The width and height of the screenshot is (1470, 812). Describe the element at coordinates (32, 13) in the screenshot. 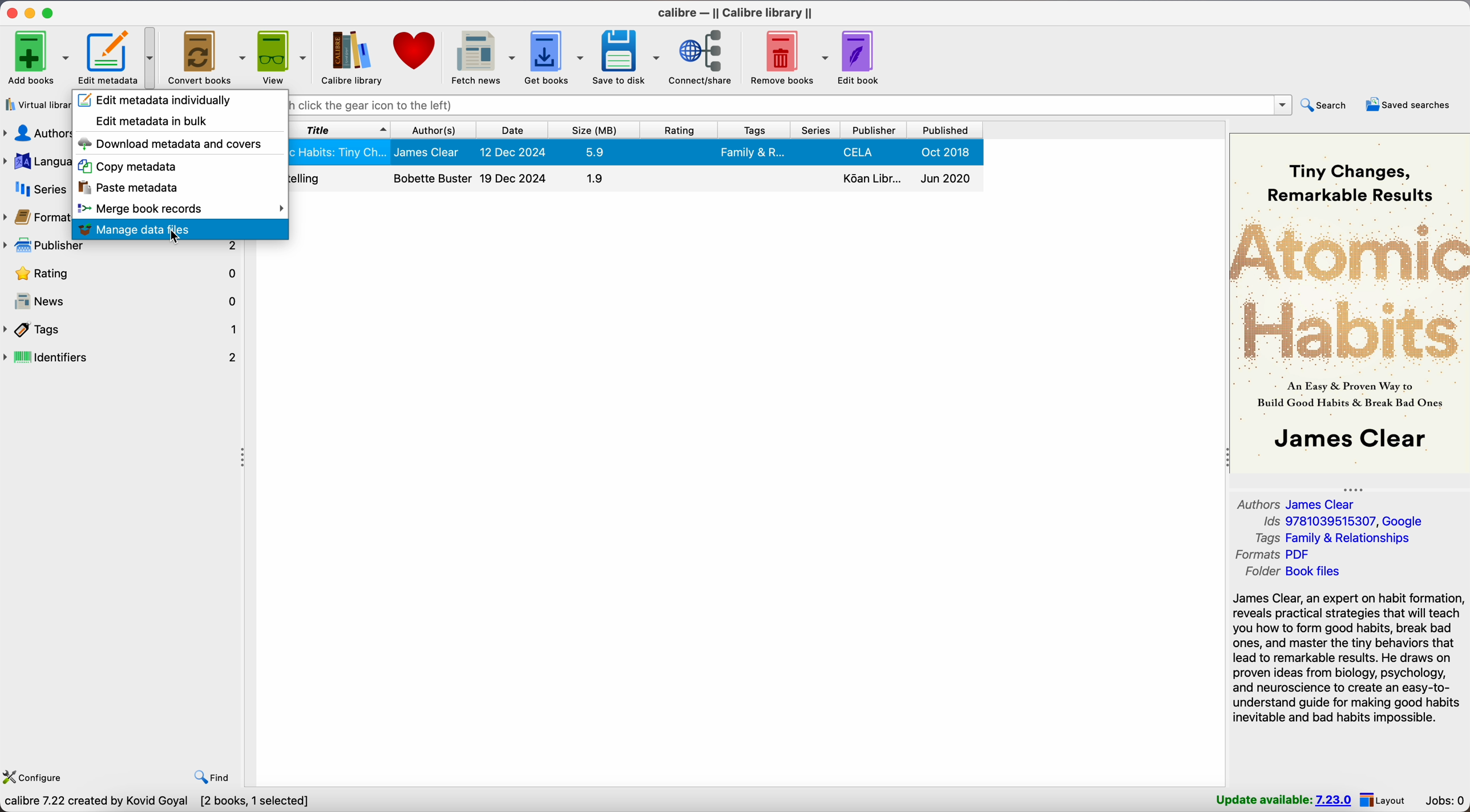

I see `minimize Calibre` at that location.